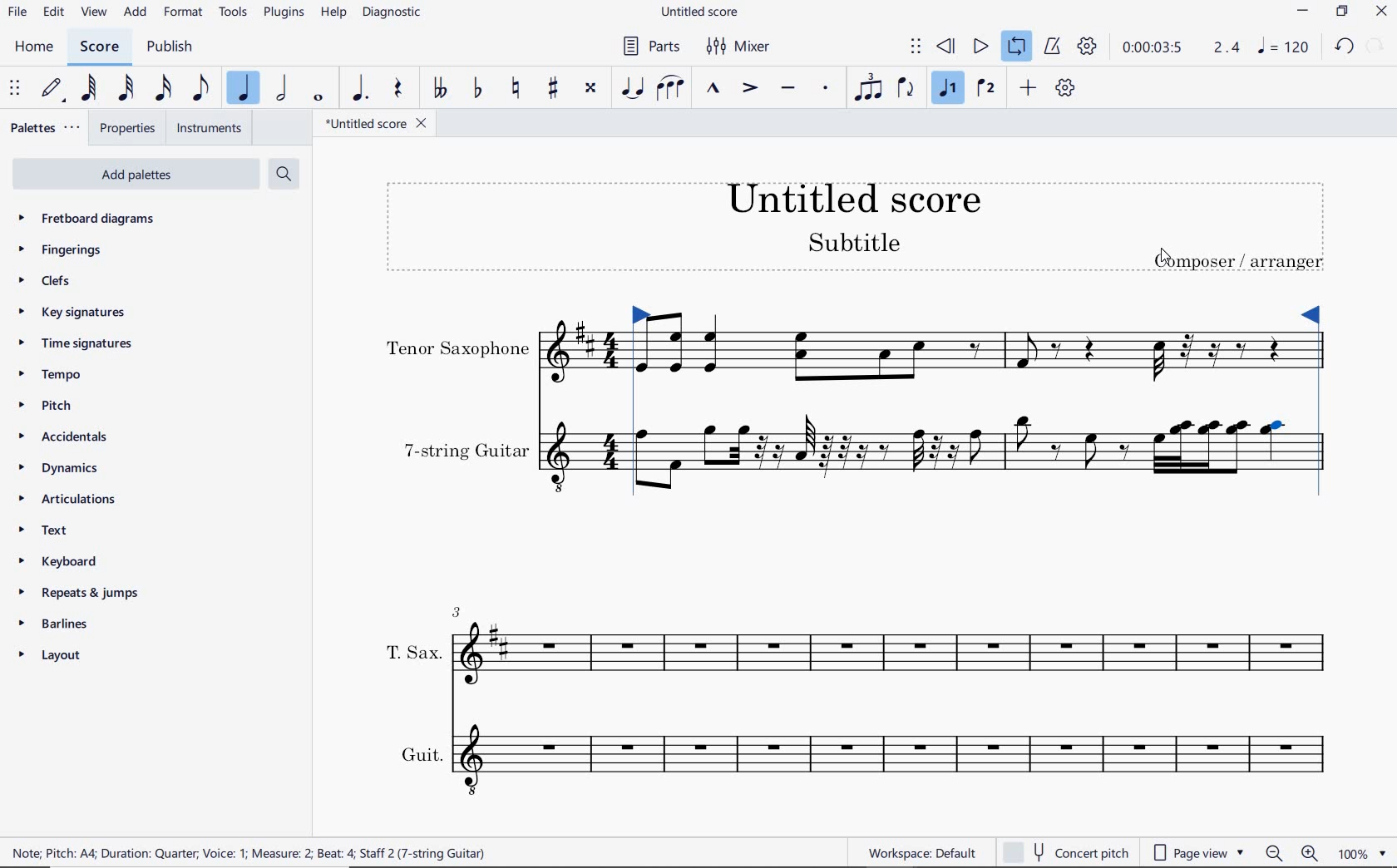  I want to click on ACCENT, so click(748, 90).